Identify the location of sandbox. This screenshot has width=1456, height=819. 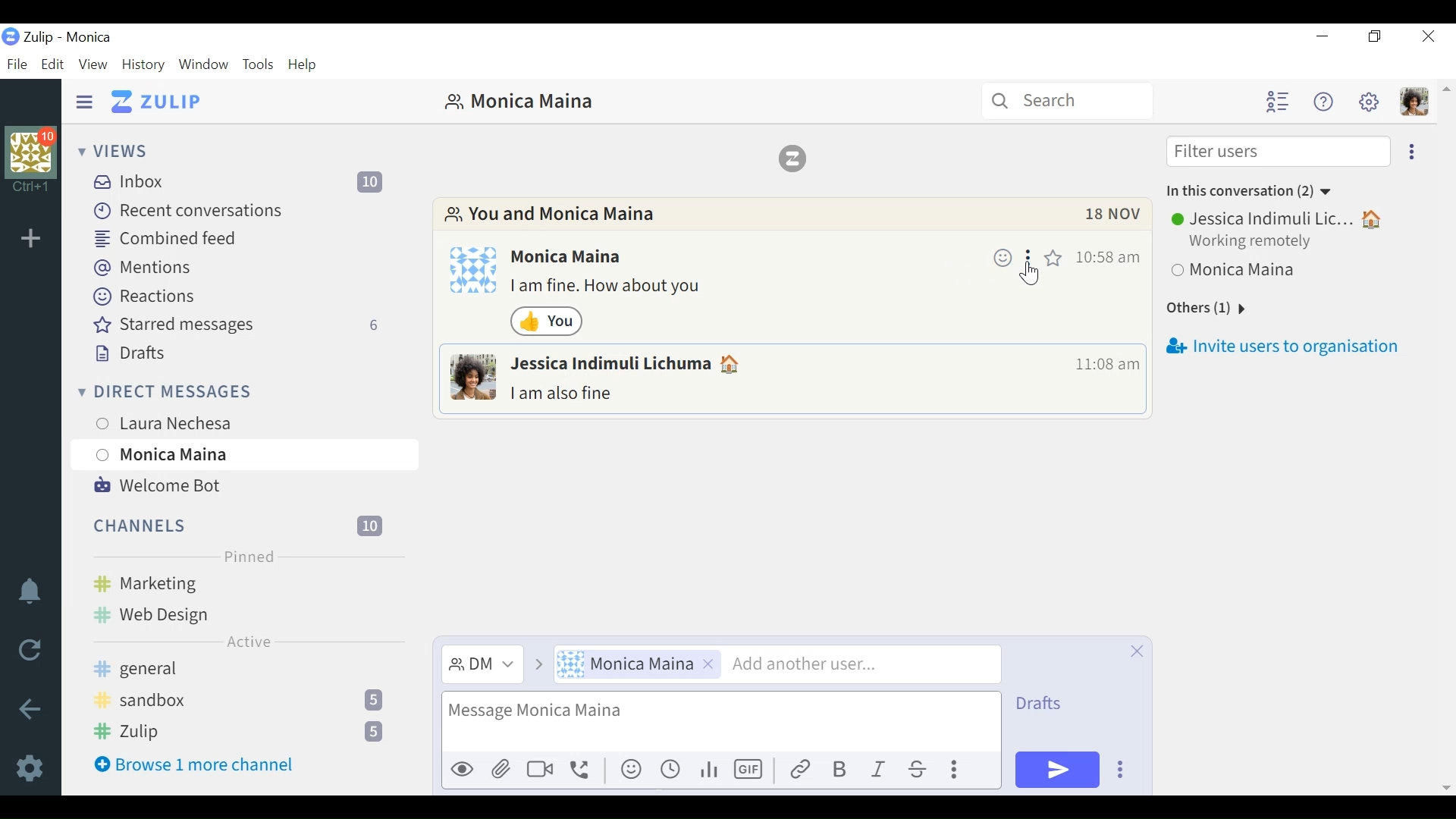
(243, 699).